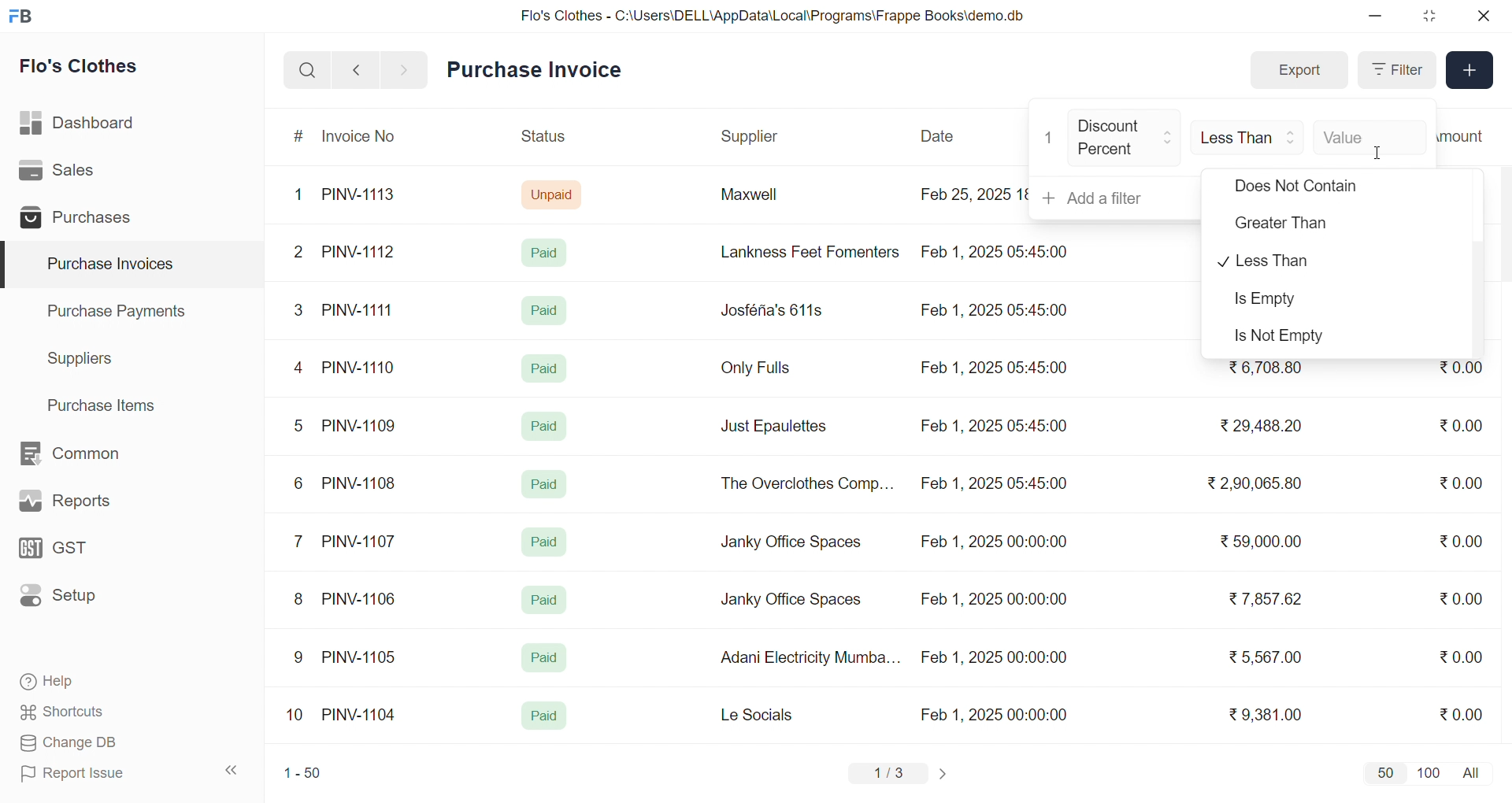  Describe the element at coordinates (83, 505) in the screenshot. I see `Reports` at that location.